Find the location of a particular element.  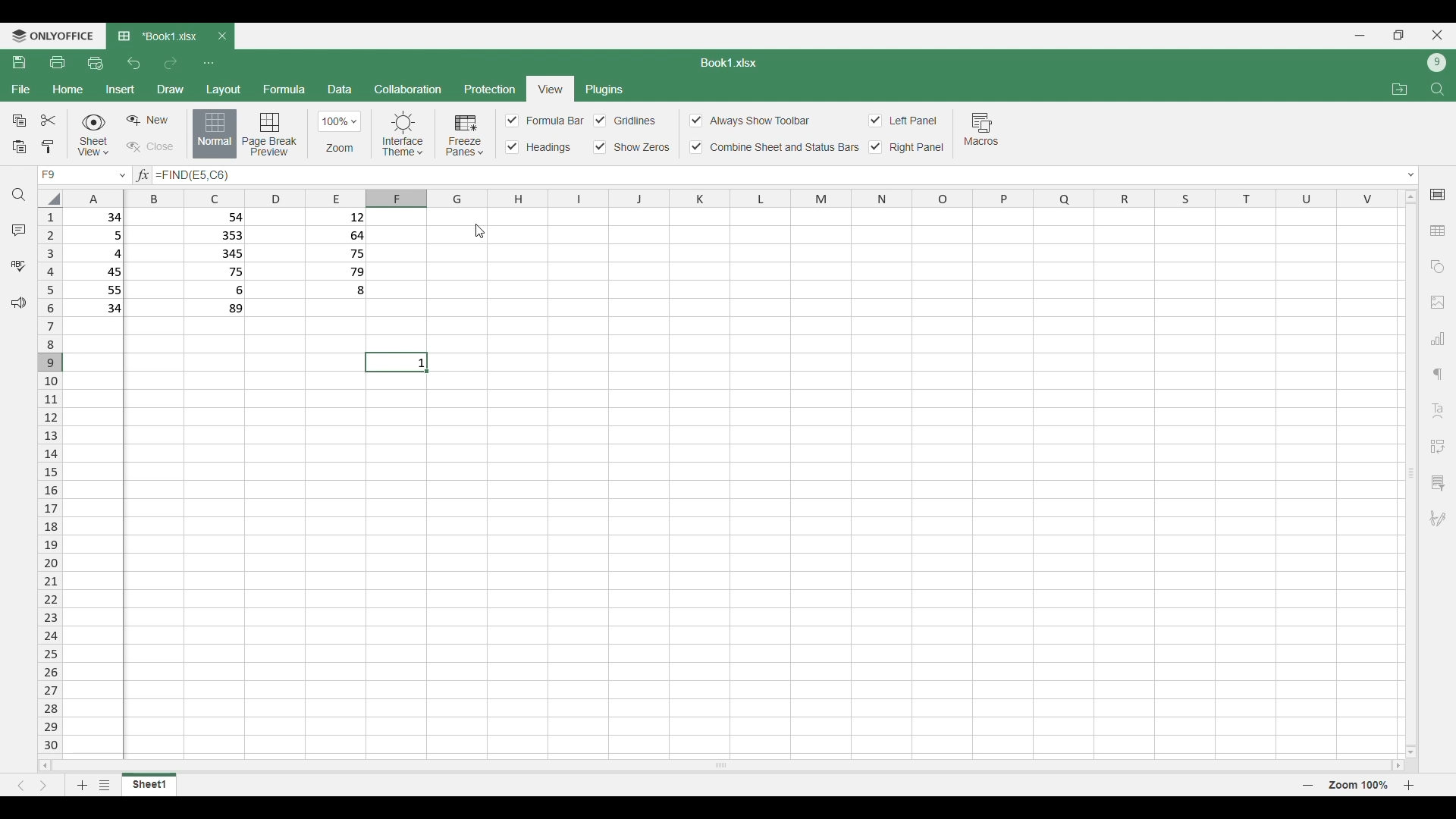

move down is located at coordinates (1412, 752).